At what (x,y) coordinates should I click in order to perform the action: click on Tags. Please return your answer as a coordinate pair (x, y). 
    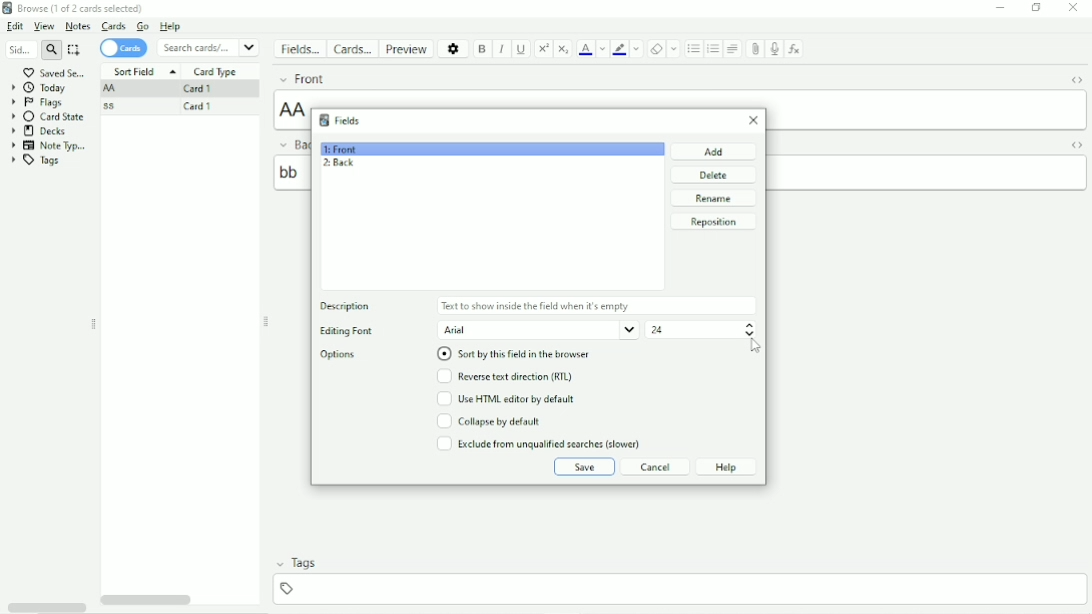
    Looking at the image, I should click on (305, 563).